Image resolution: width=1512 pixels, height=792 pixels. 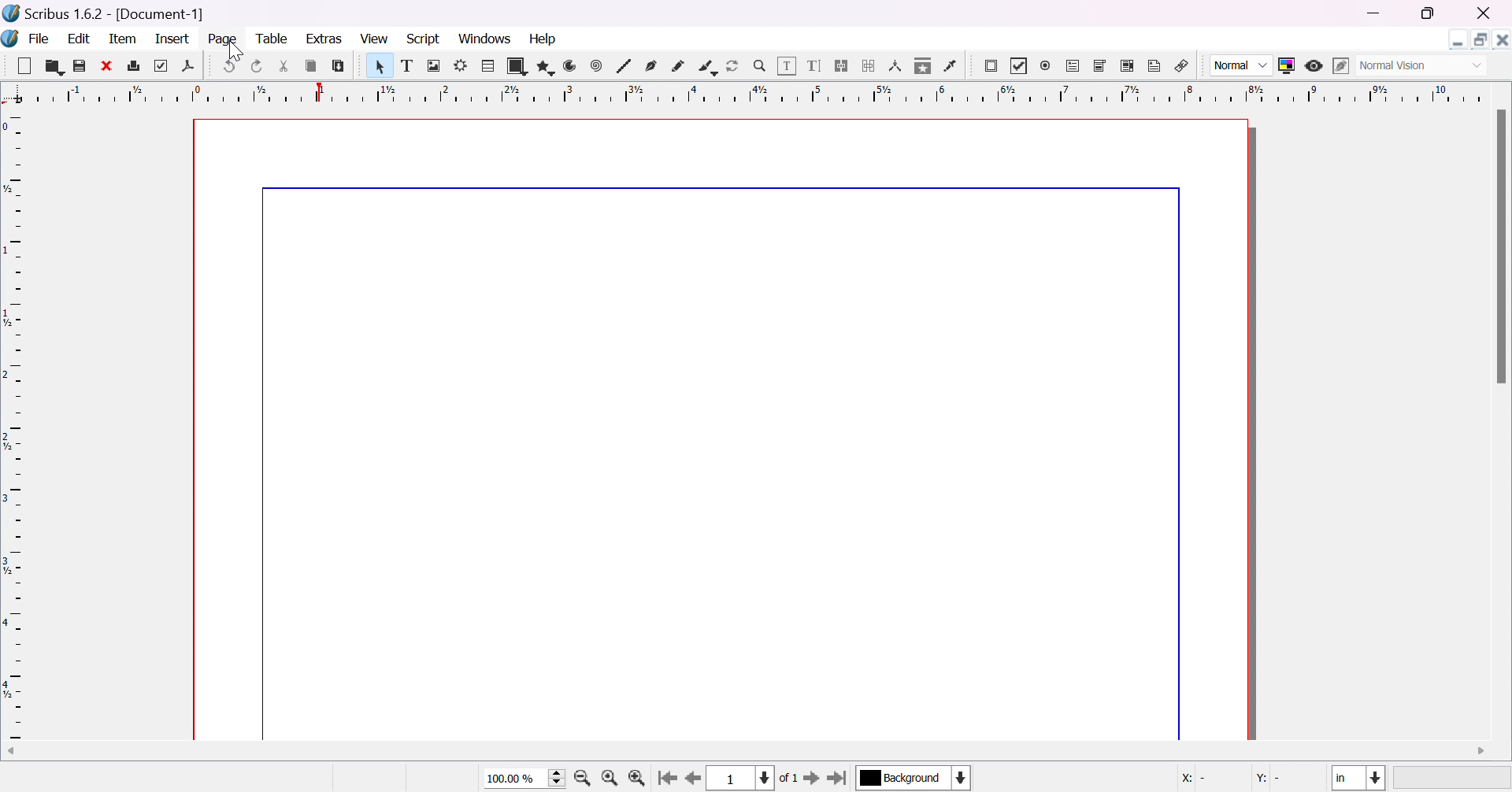 What do you see at coordinates (223, 36) in the screenshot?
I see `page` at bounding box center [223, 36].